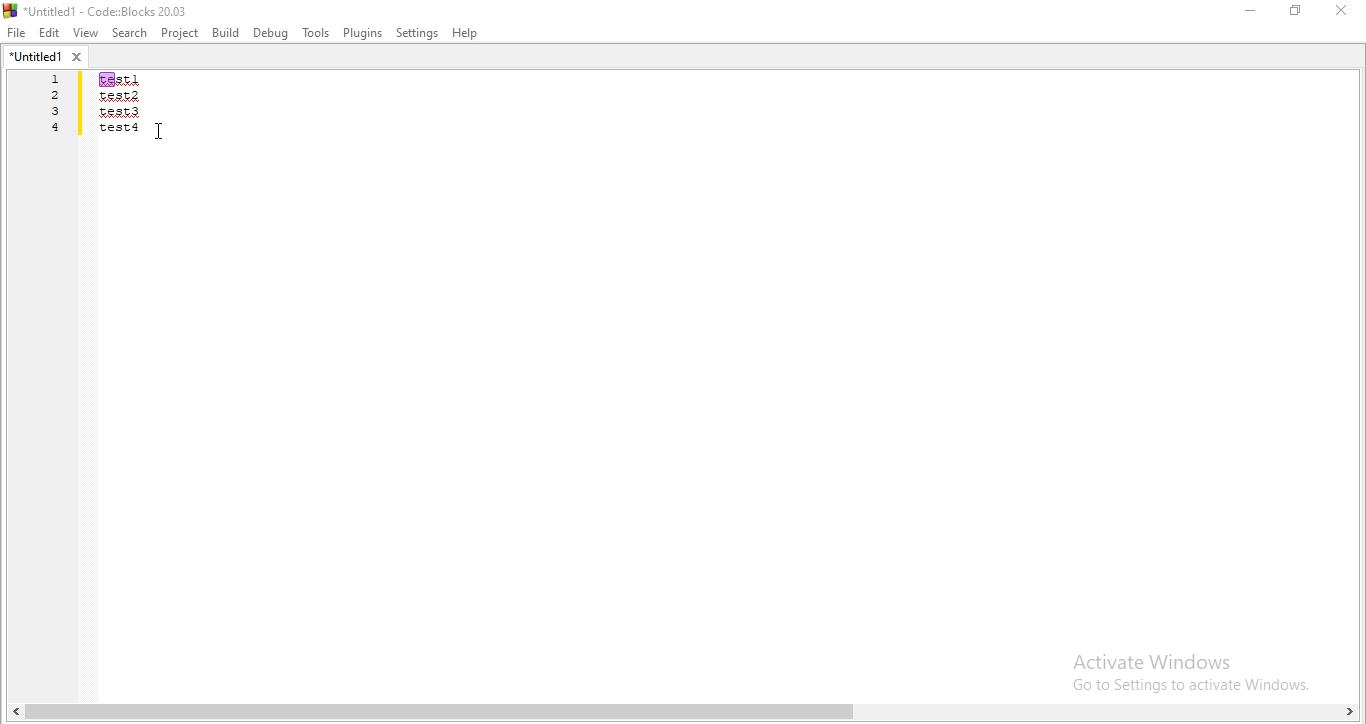  I want to click on scroll bar, so click(683, 711).